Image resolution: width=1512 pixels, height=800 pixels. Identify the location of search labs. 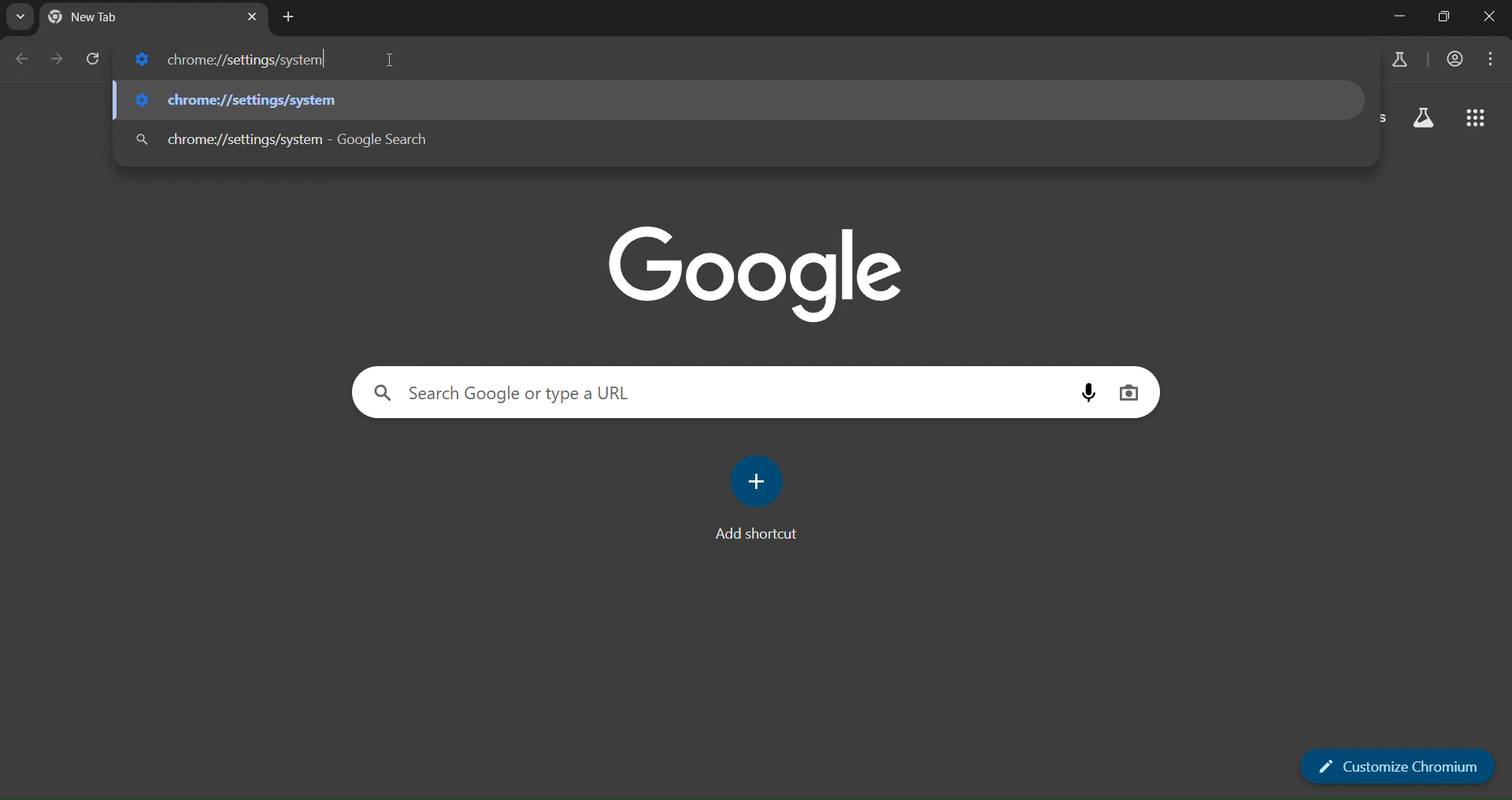
(1422, 120).